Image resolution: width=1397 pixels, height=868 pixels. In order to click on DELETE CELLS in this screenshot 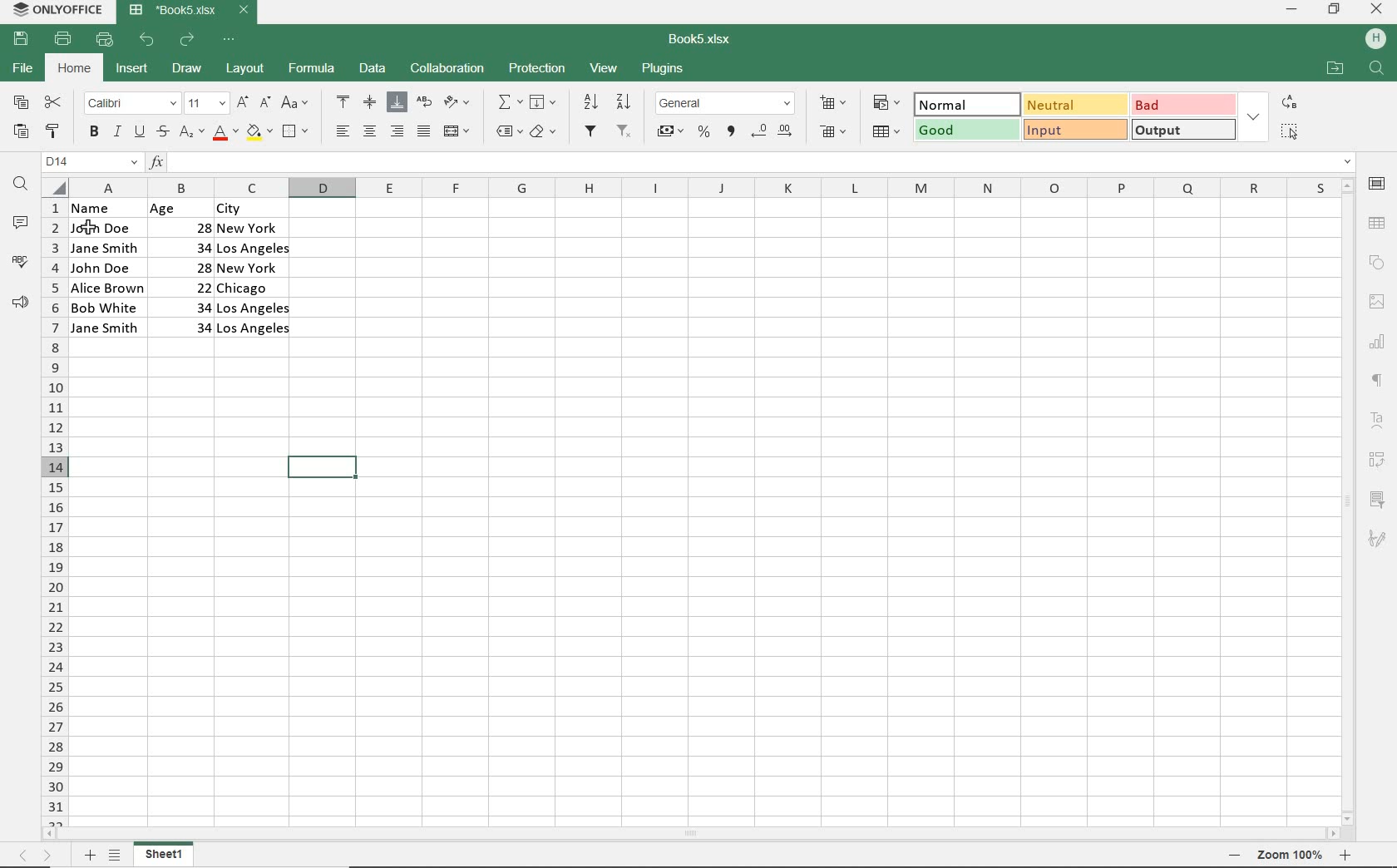, I will do `click(835, 133)`.